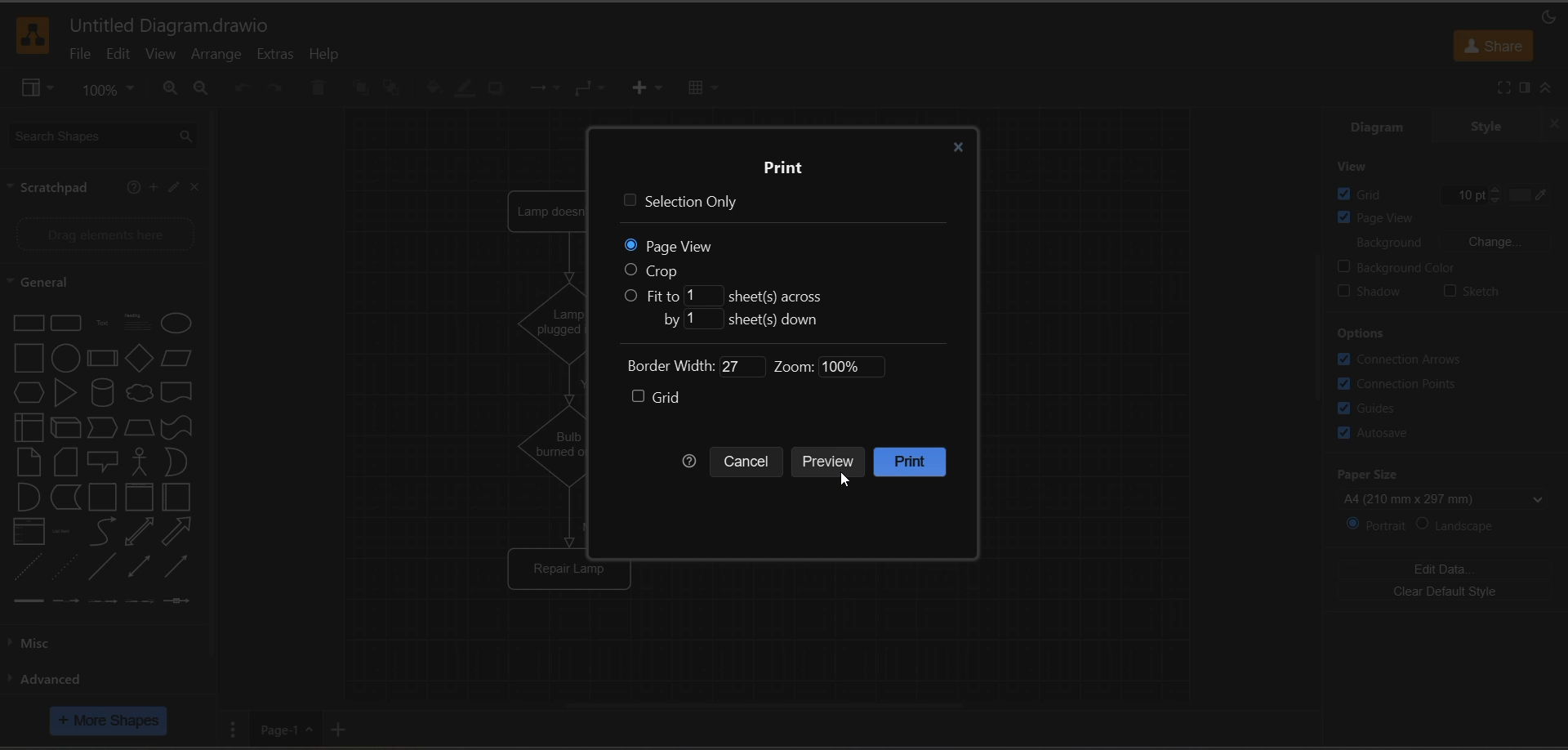  What do you see at coordinates (1492, 46) in the screenshot?
I see `share` at bounding box center [1492, 46].